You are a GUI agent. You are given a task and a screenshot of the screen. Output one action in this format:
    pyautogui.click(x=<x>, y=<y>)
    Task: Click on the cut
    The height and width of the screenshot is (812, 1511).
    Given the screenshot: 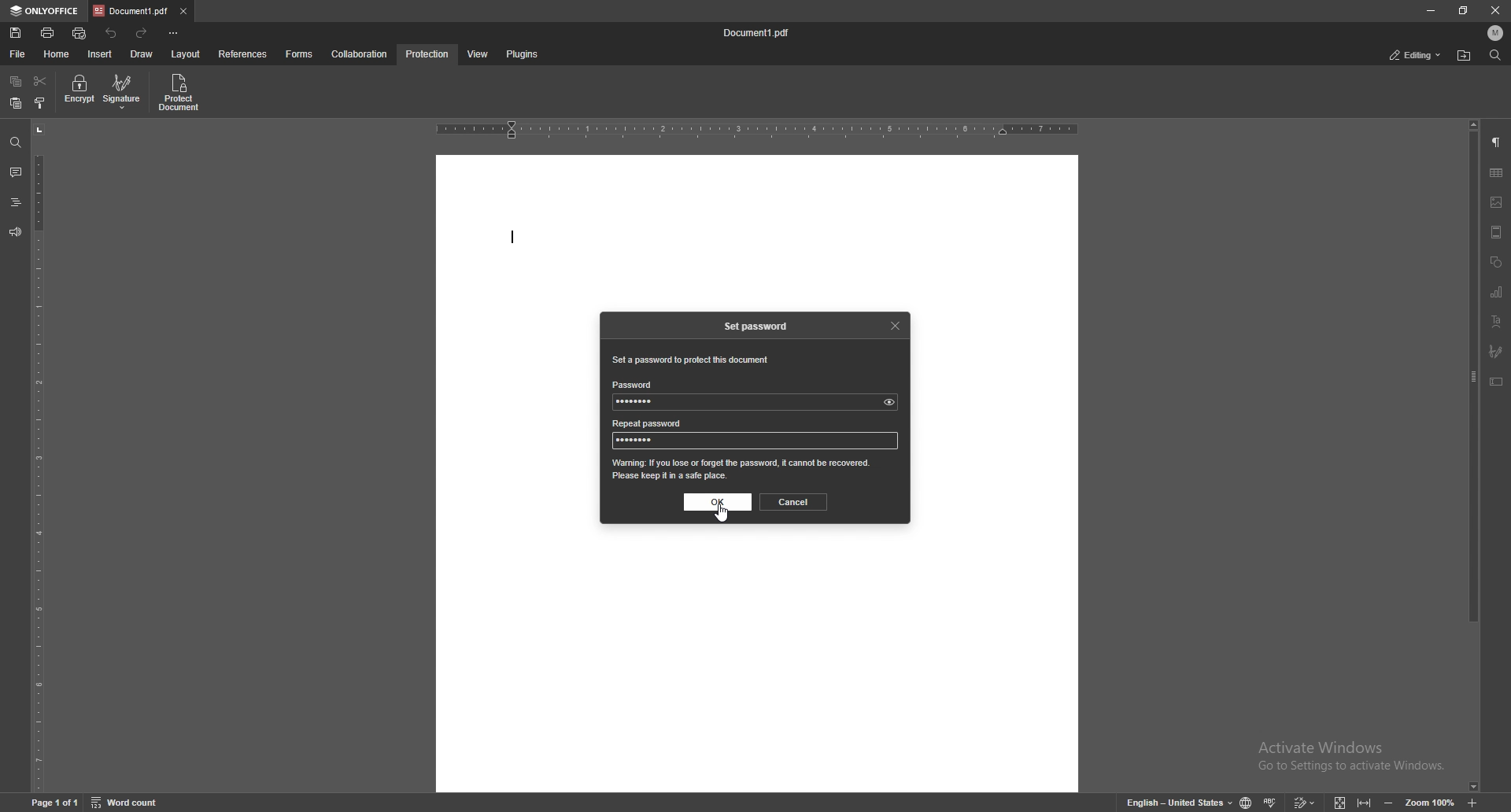 What is the action you would take?
    pyautogui.click(x=39, y=80)
    